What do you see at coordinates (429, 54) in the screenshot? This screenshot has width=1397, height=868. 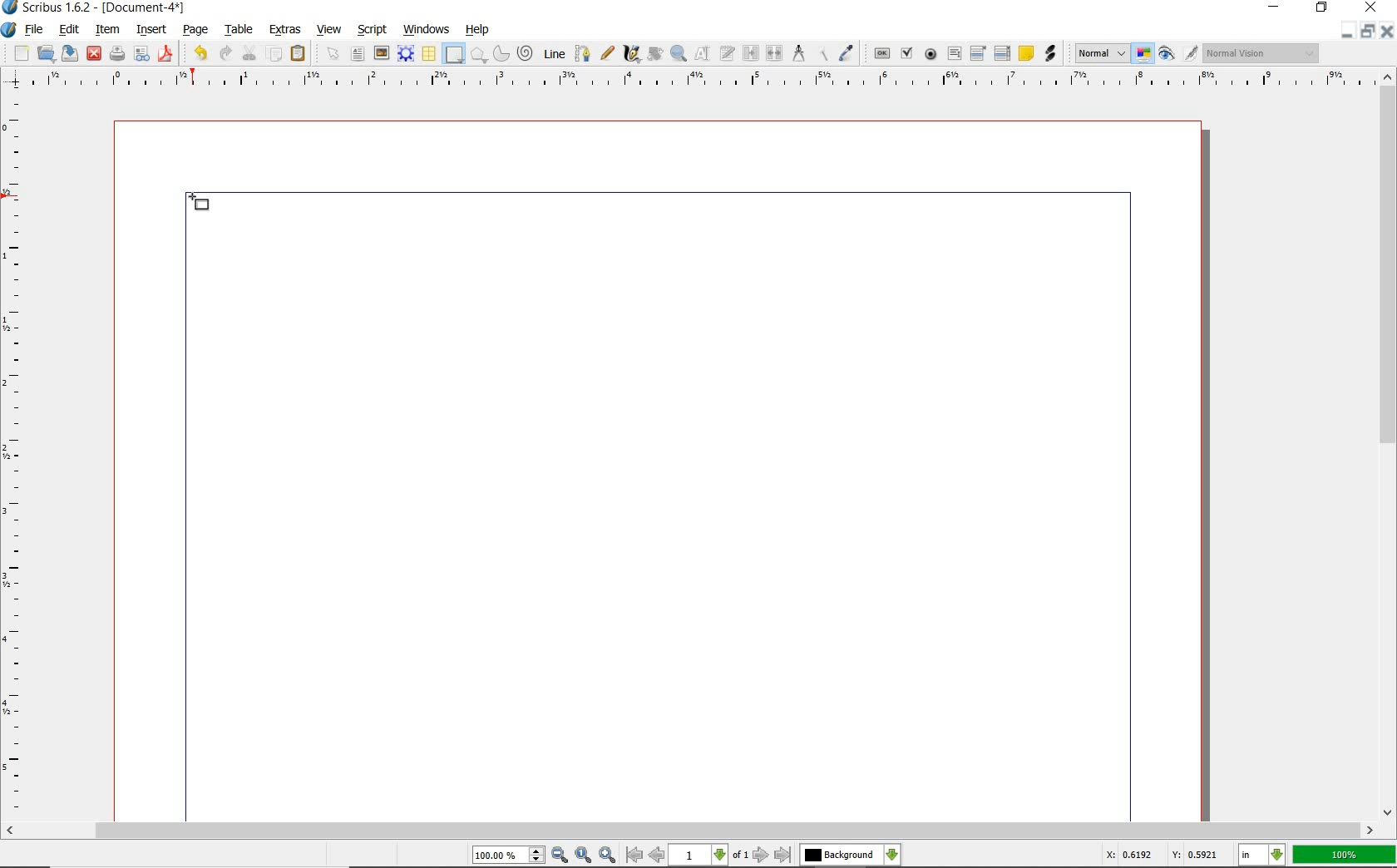 I see `table` at bounding box center [429, 54].